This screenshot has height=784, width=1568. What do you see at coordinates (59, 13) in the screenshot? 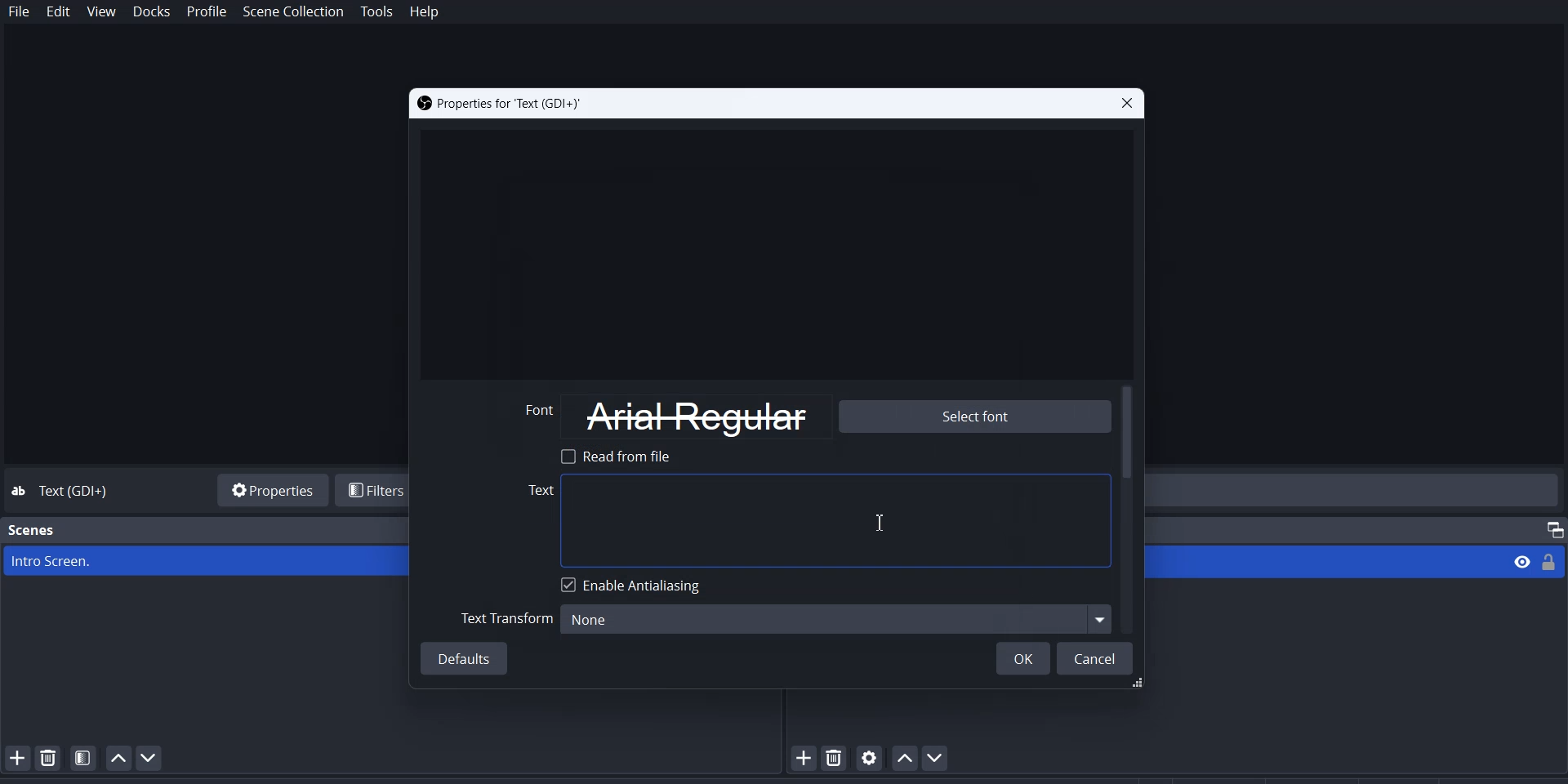
I see `Edit` at bounding box center [59, 13].